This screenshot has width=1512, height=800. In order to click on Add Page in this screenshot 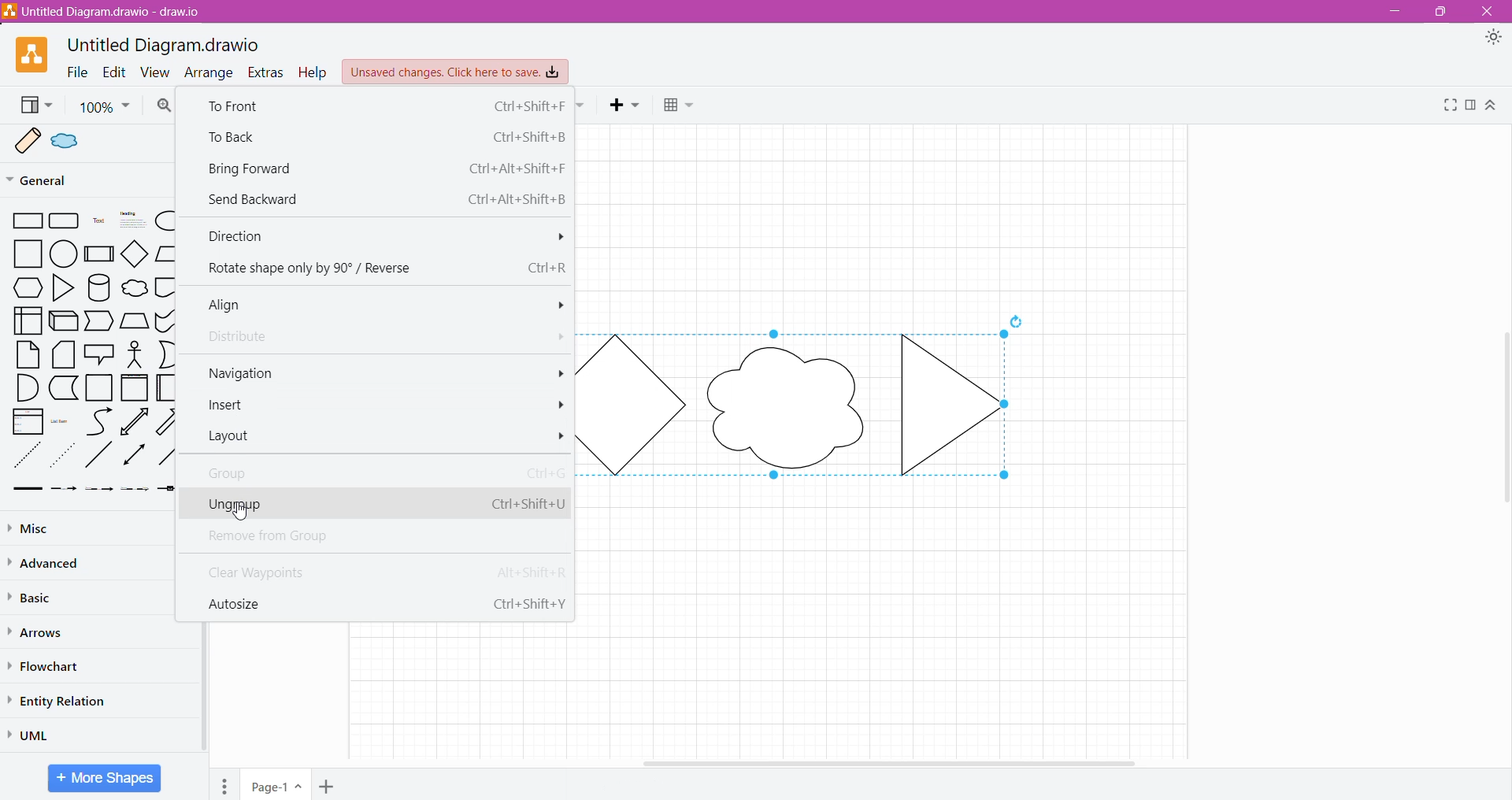, I will do `click(331, 787)`.